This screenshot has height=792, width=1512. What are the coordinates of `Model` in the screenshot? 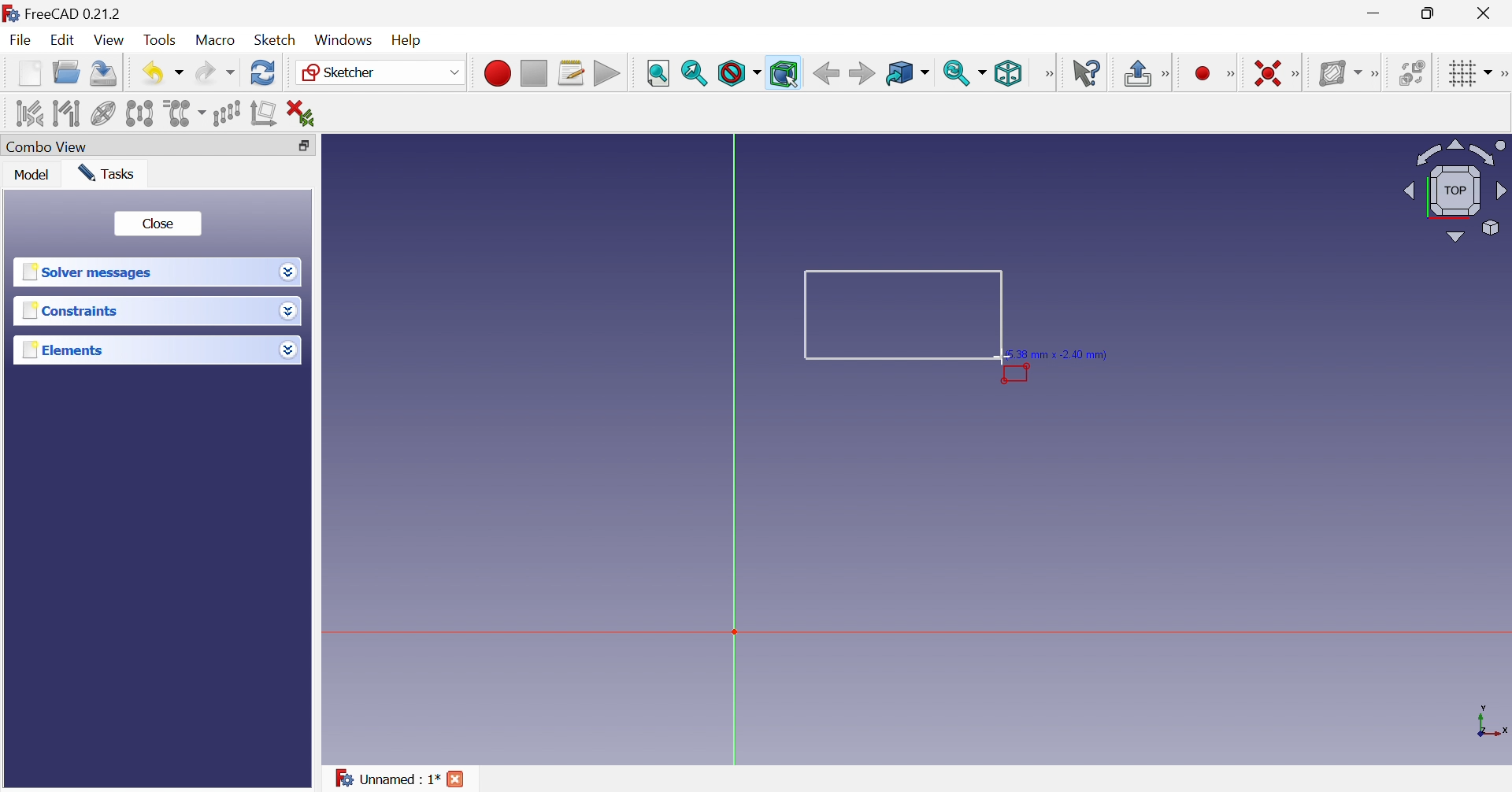 It's located at (31, 175).